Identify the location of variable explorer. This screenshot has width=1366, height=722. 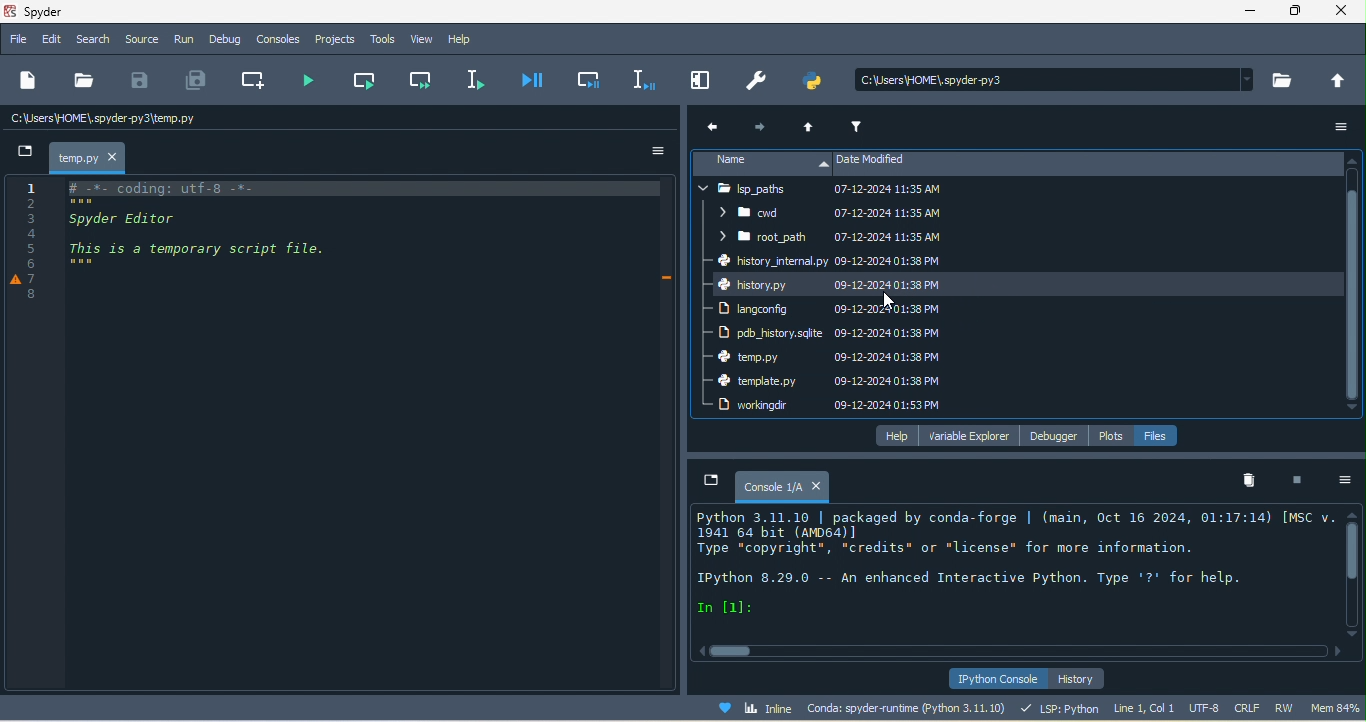
(975, 434).